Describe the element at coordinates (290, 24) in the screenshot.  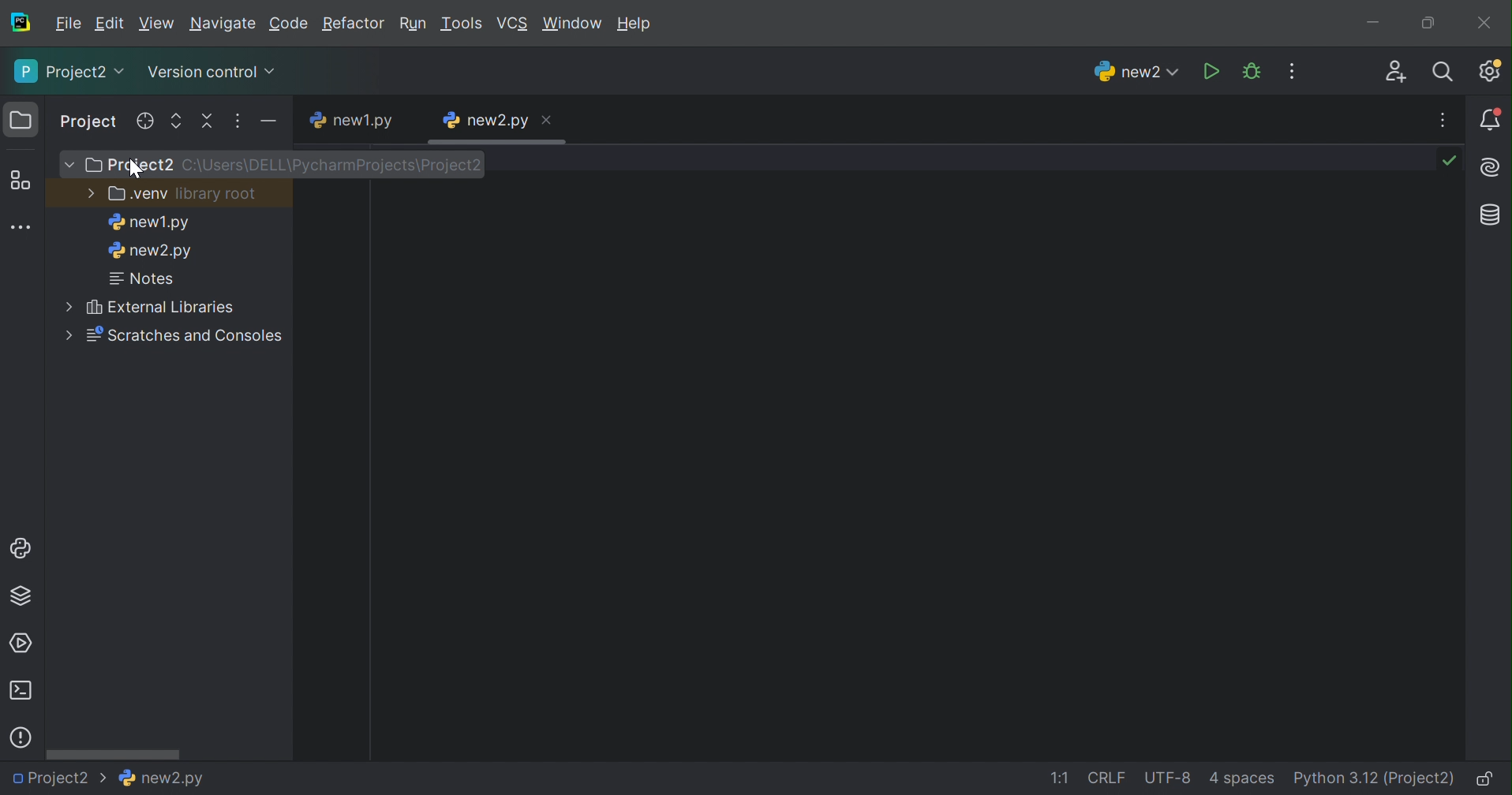
I see `Code` at that location.